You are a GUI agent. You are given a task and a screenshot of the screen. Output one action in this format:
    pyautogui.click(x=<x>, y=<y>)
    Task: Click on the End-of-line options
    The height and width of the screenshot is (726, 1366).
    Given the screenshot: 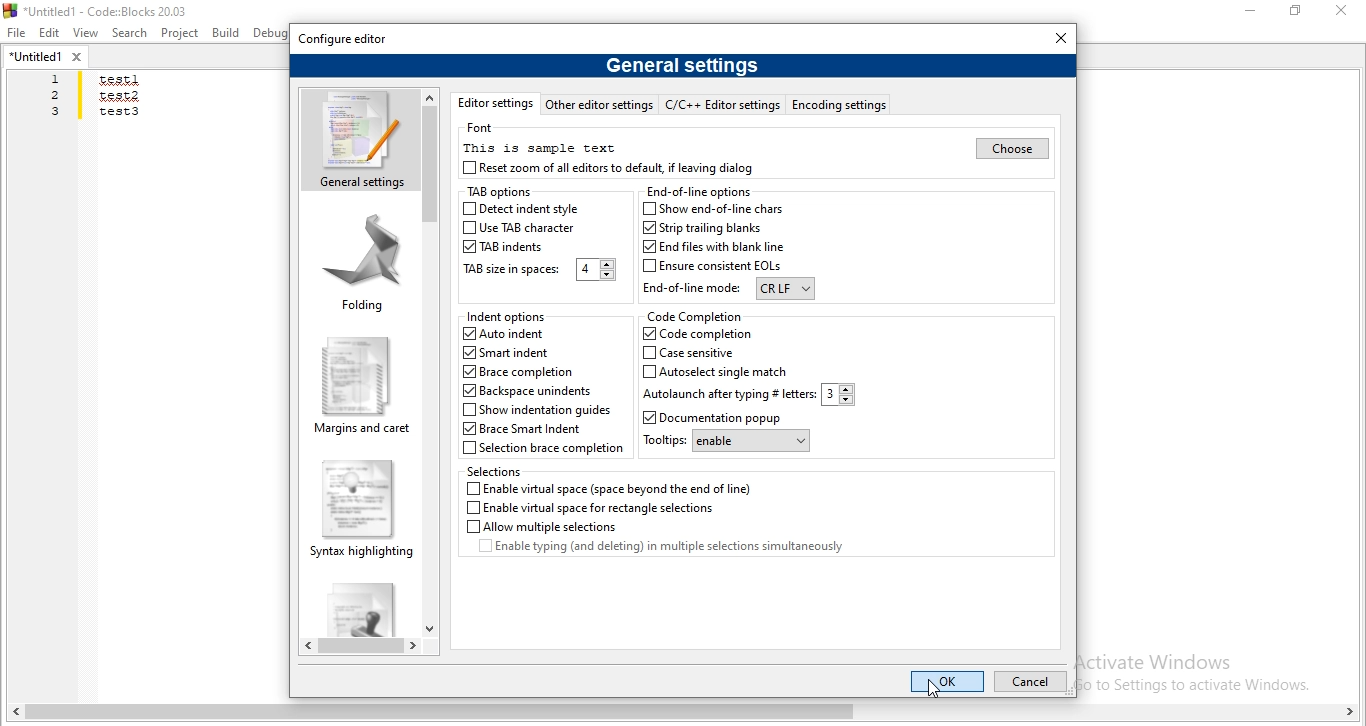 What is the action you would take?
    pyautogui.click(x=699, y=191)
    